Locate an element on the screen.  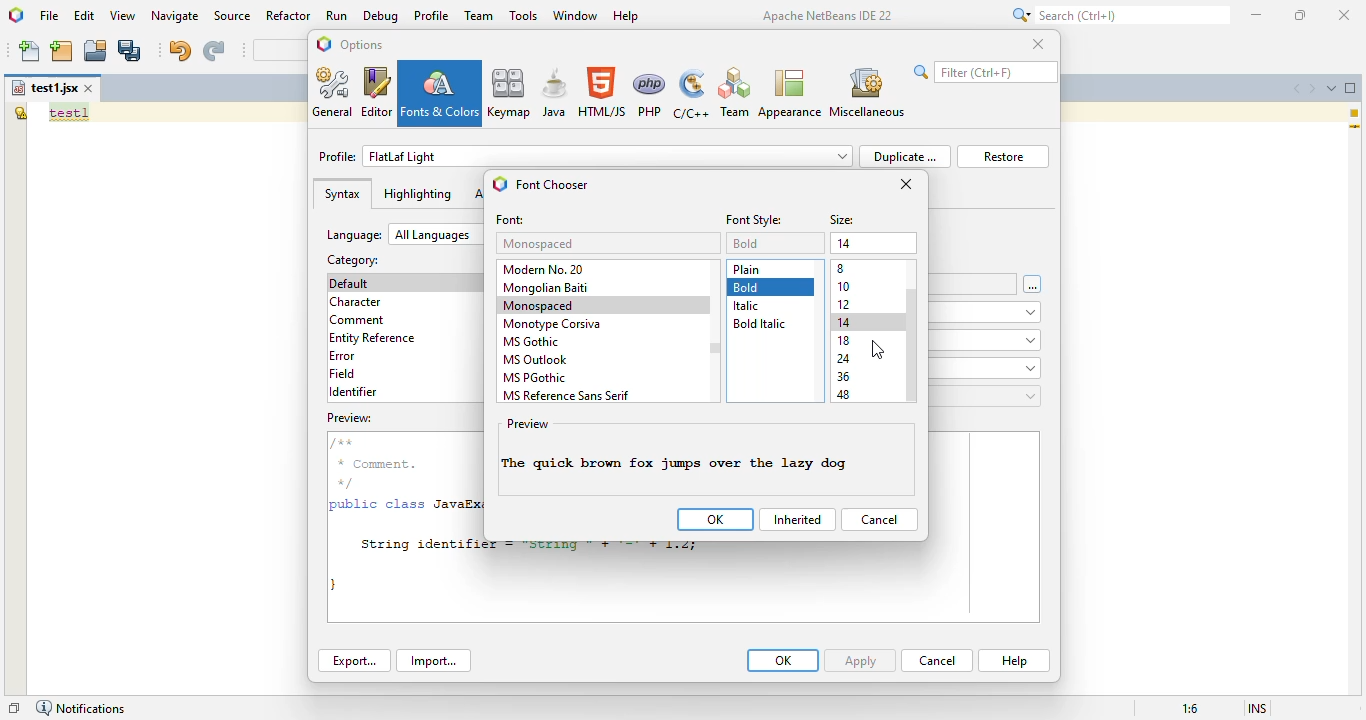
notifications is located at coordinates (80, 708).